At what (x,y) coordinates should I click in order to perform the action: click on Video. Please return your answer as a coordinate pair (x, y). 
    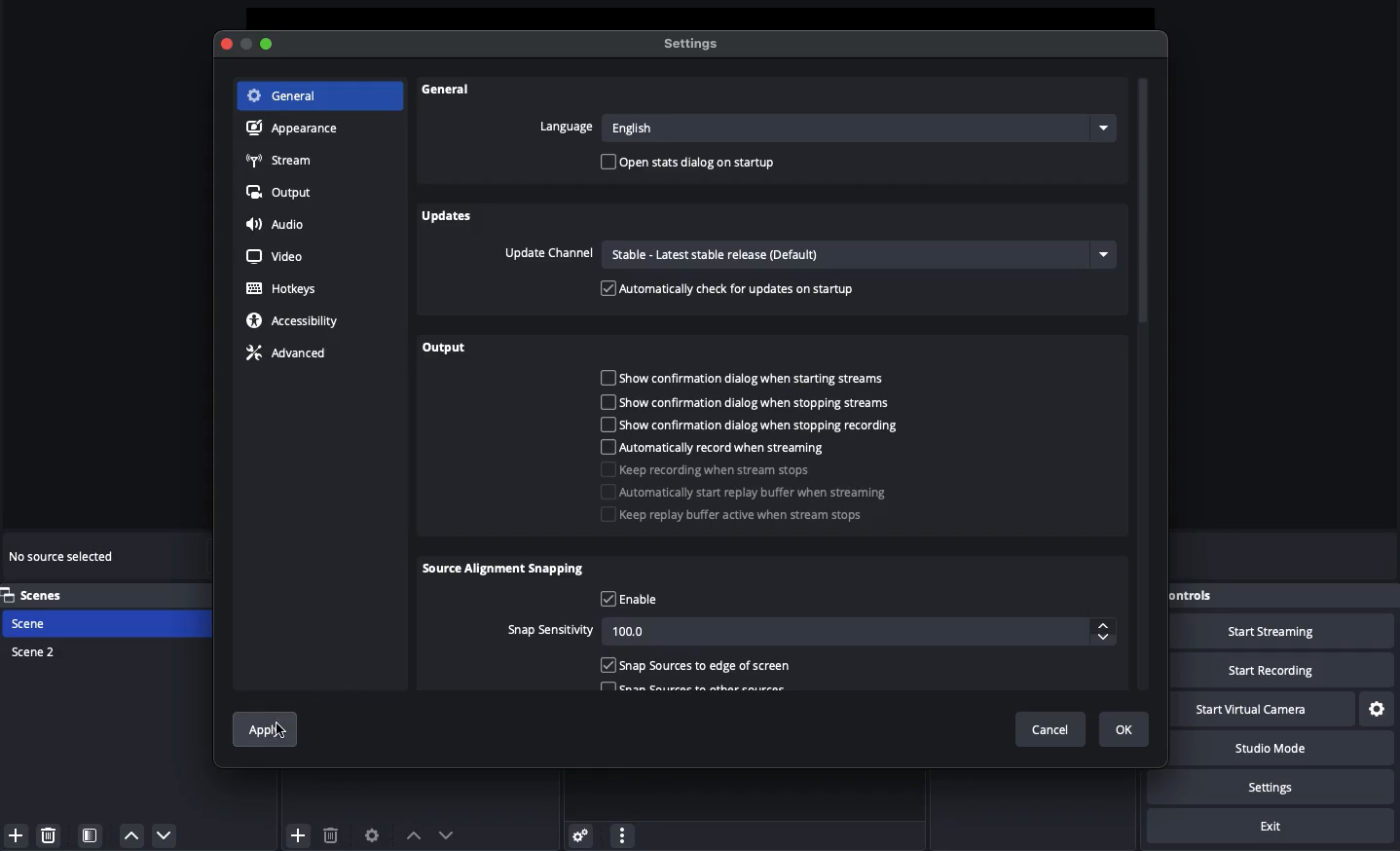
    Looking at the image, I should click on (277, 255).